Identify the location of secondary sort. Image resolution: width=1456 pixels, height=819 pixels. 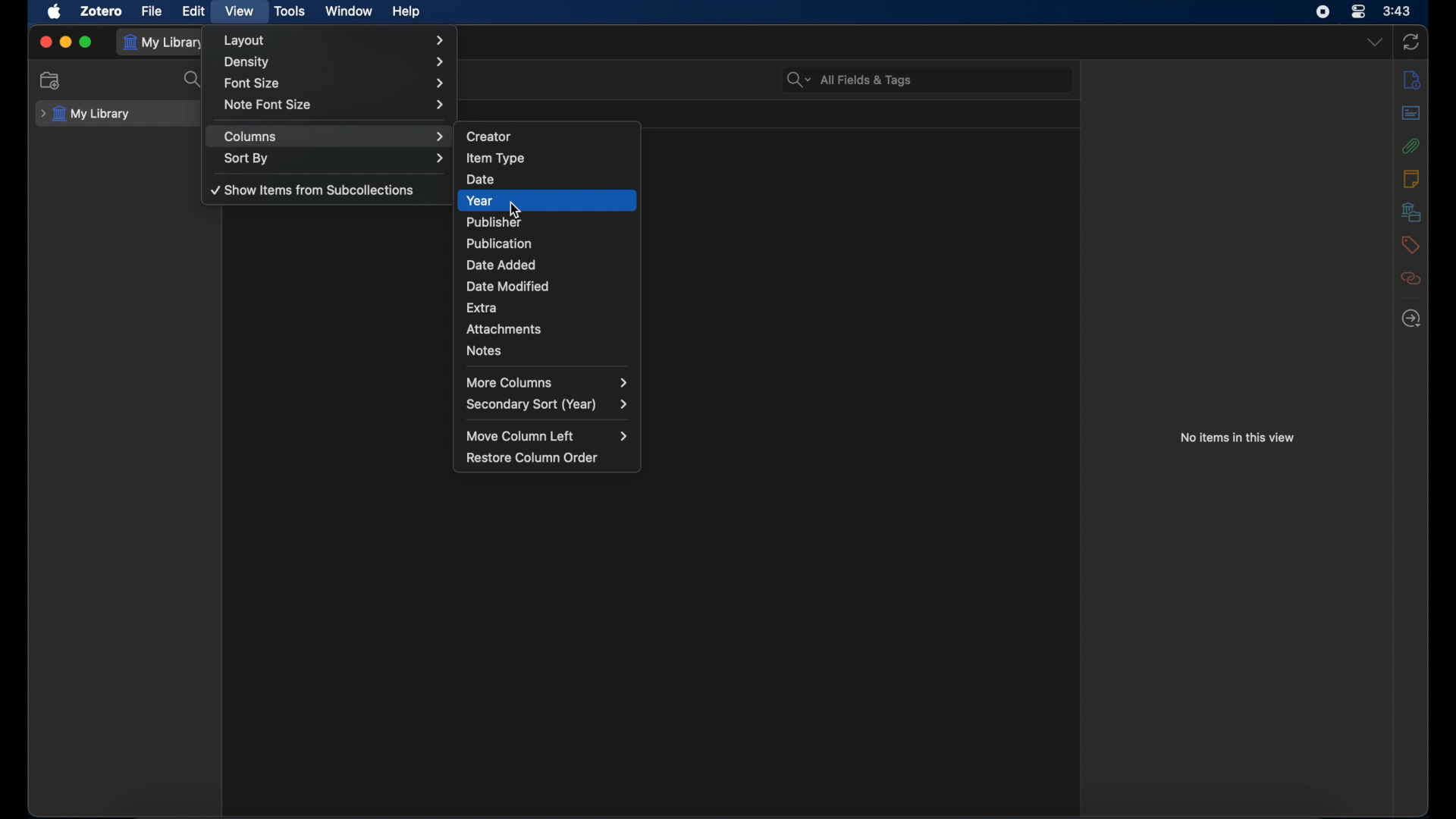
(550, 405).